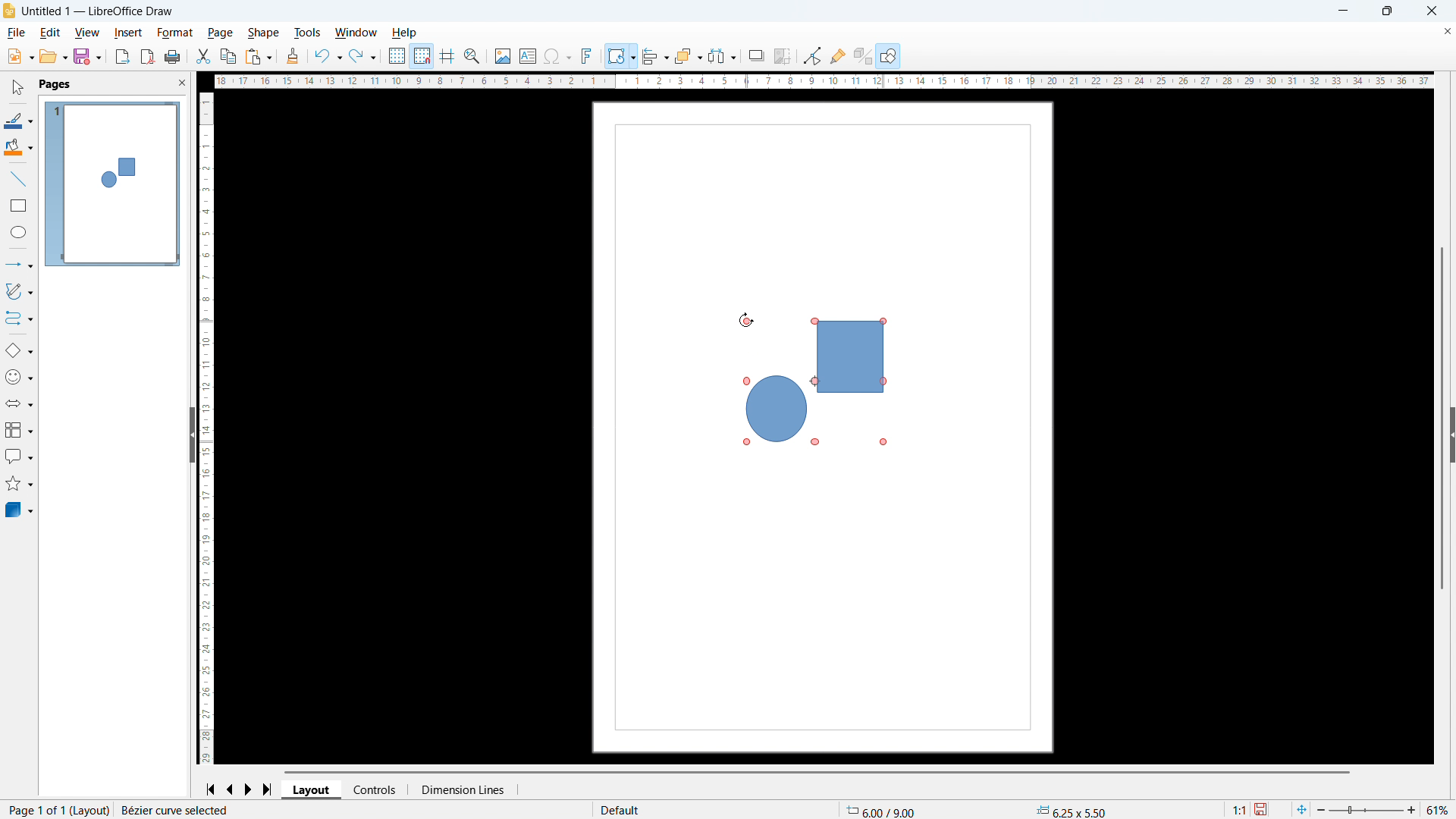 The image size is (1456, 819). What do you see at coordinates (1342, 11) in the screenshot?
I see `minimise ` at bounding box center [1342, 11].